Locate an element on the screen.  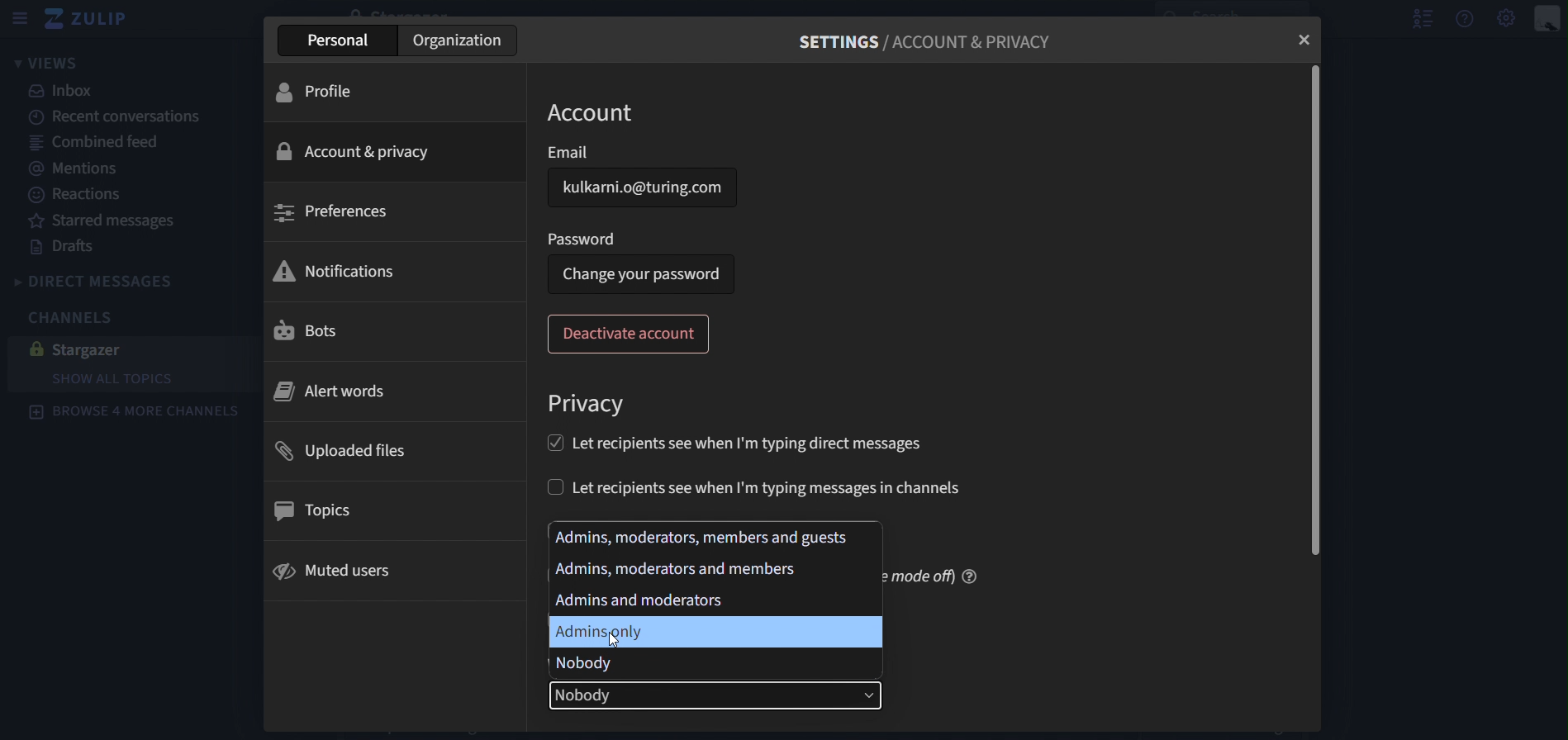
direct messages is located at coordinates (118, 280).